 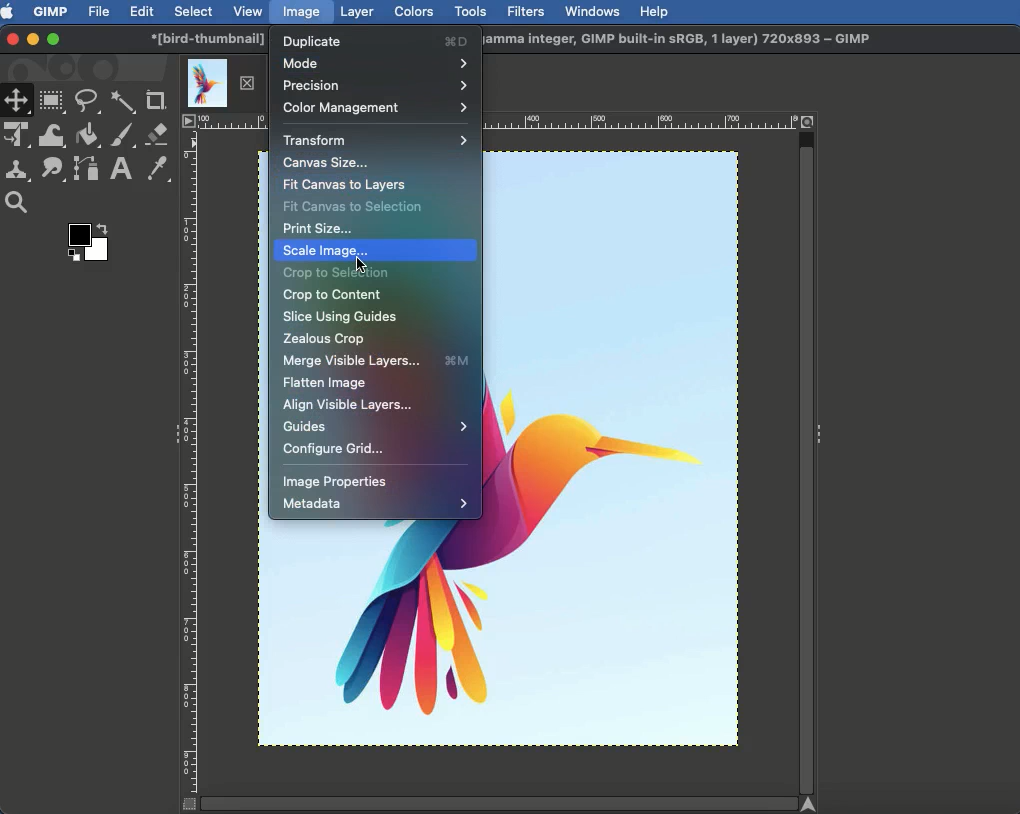 What do you see at coordinates (88, 101) in the screenshot?
I see `Freeform selector` at bounding box center [88, 101].